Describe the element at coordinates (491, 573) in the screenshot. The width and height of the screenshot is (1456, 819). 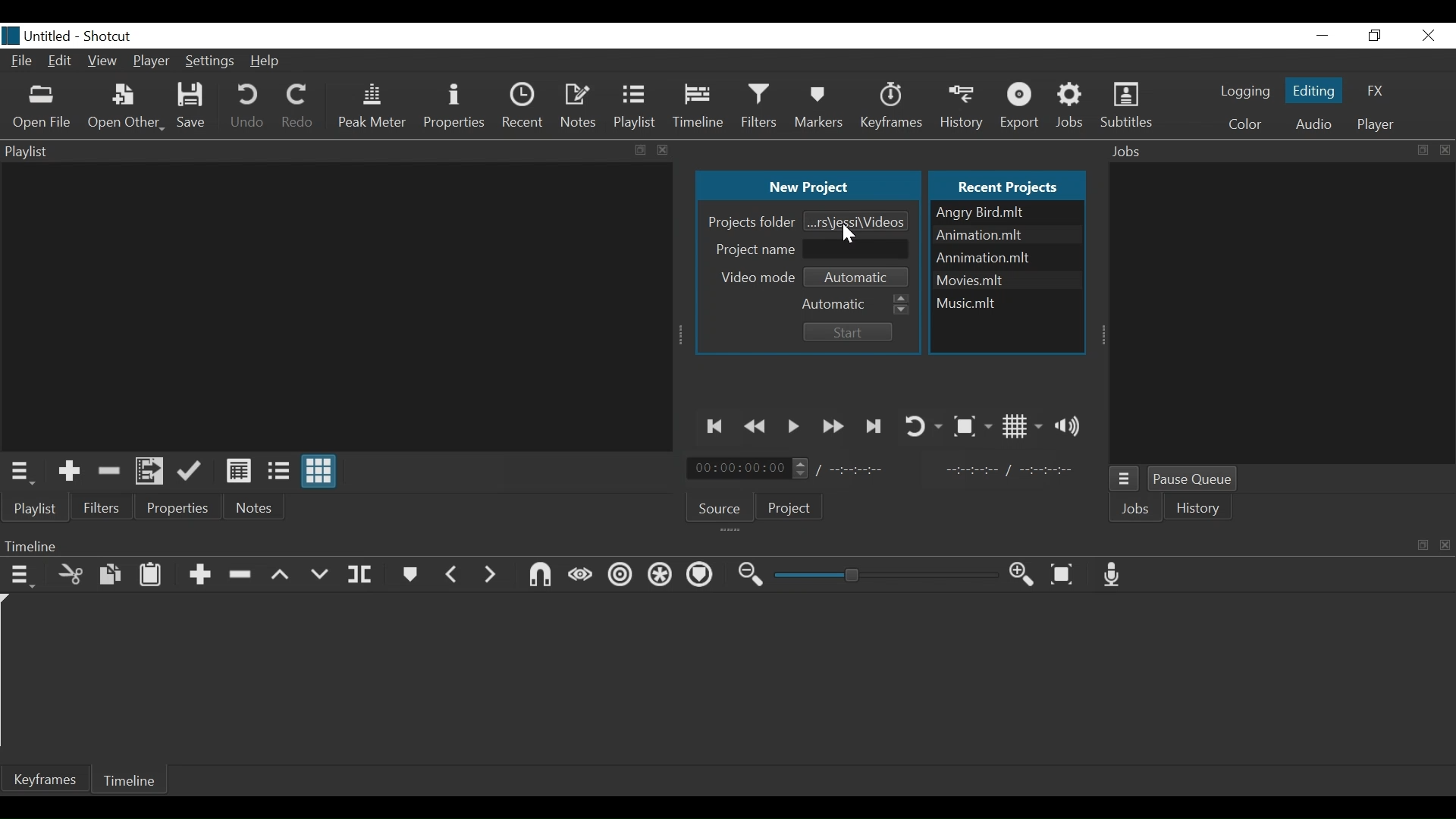
I see `Next Marker` at that location.